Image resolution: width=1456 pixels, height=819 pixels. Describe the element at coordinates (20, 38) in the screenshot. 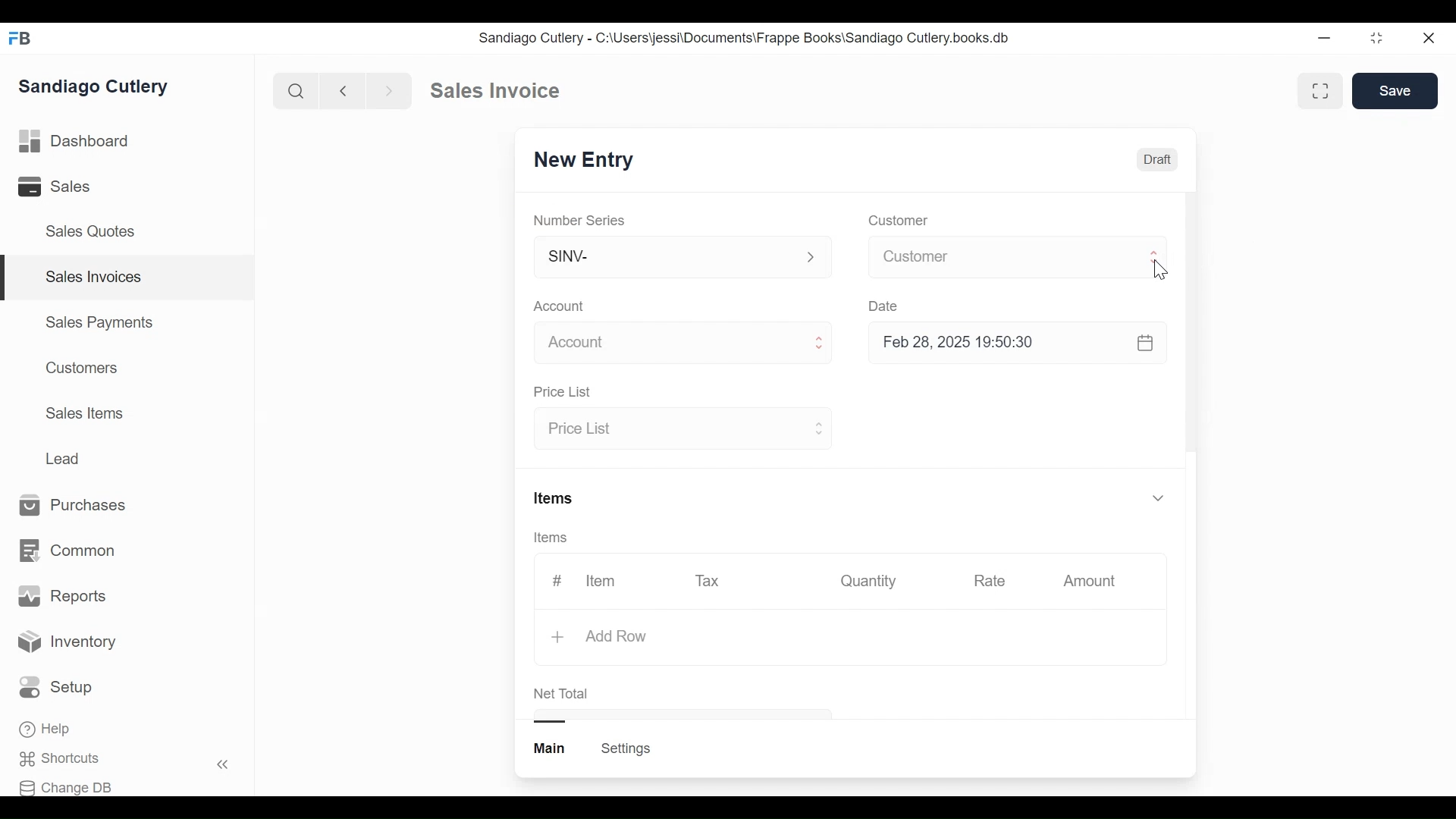

I see `FB logo` at that location.